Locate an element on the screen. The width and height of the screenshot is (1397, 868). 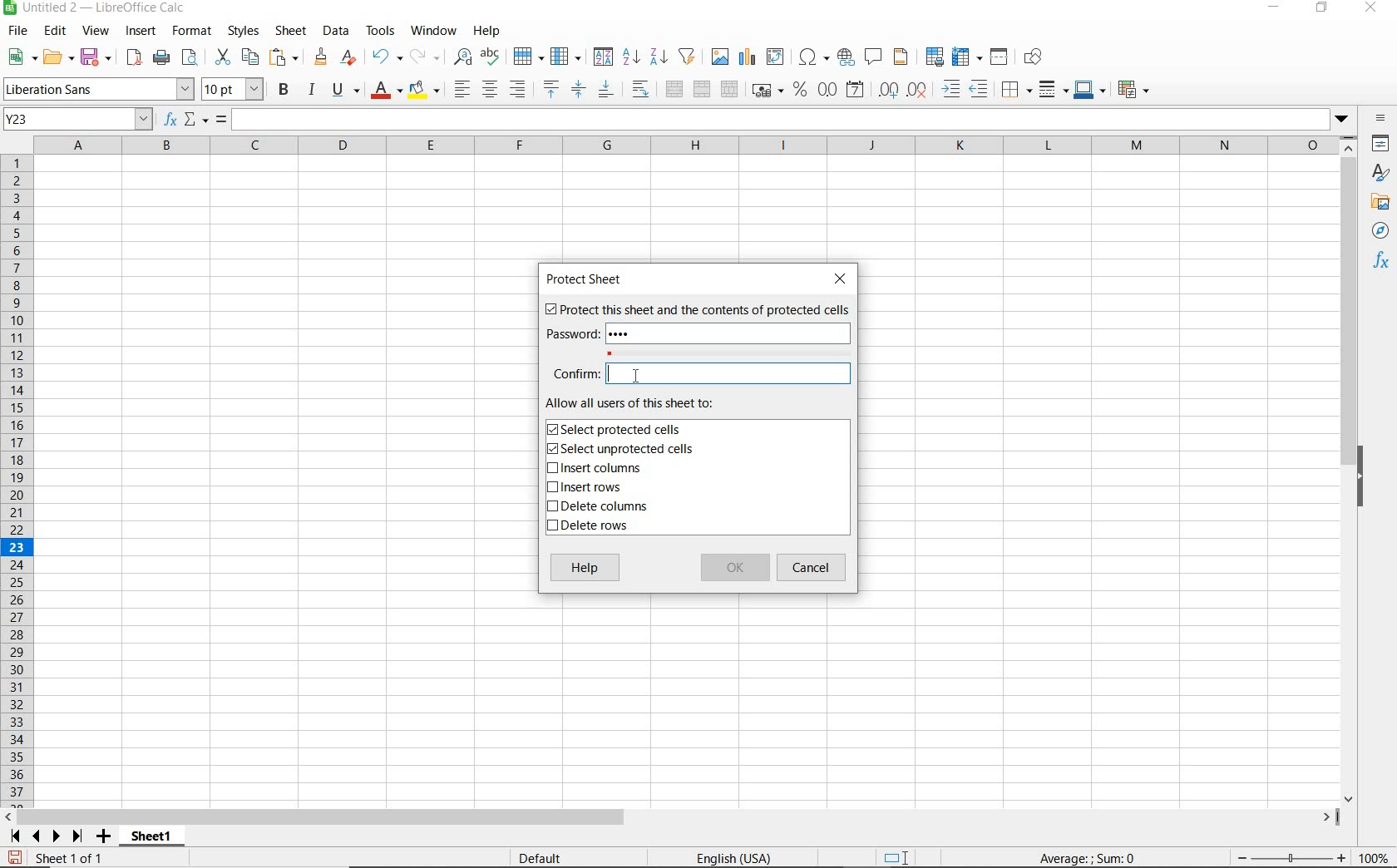
SHEET is located at coordinates (289, 32).